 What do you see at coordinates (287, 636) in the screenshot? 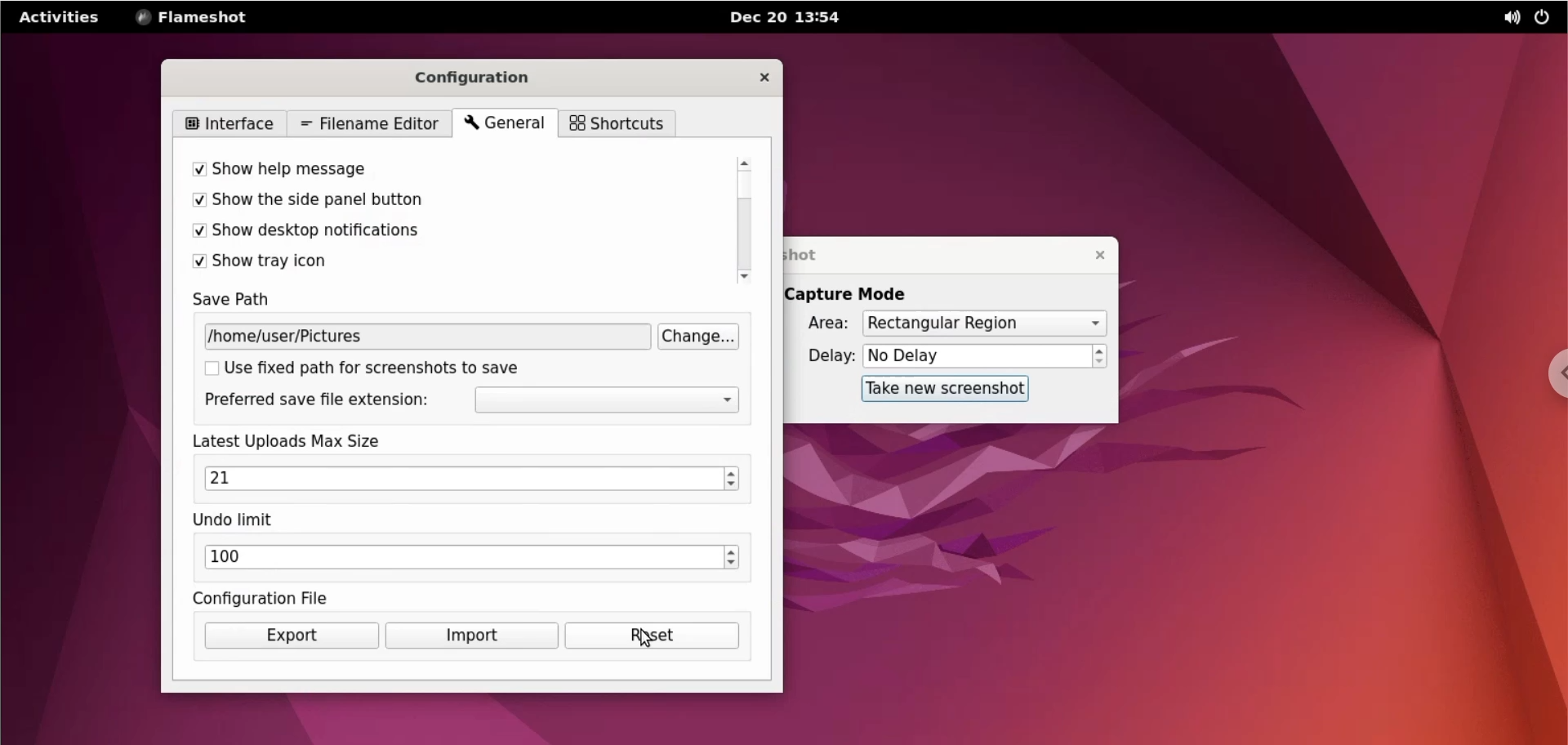
I see `export ` at bounding box center [287, 636].